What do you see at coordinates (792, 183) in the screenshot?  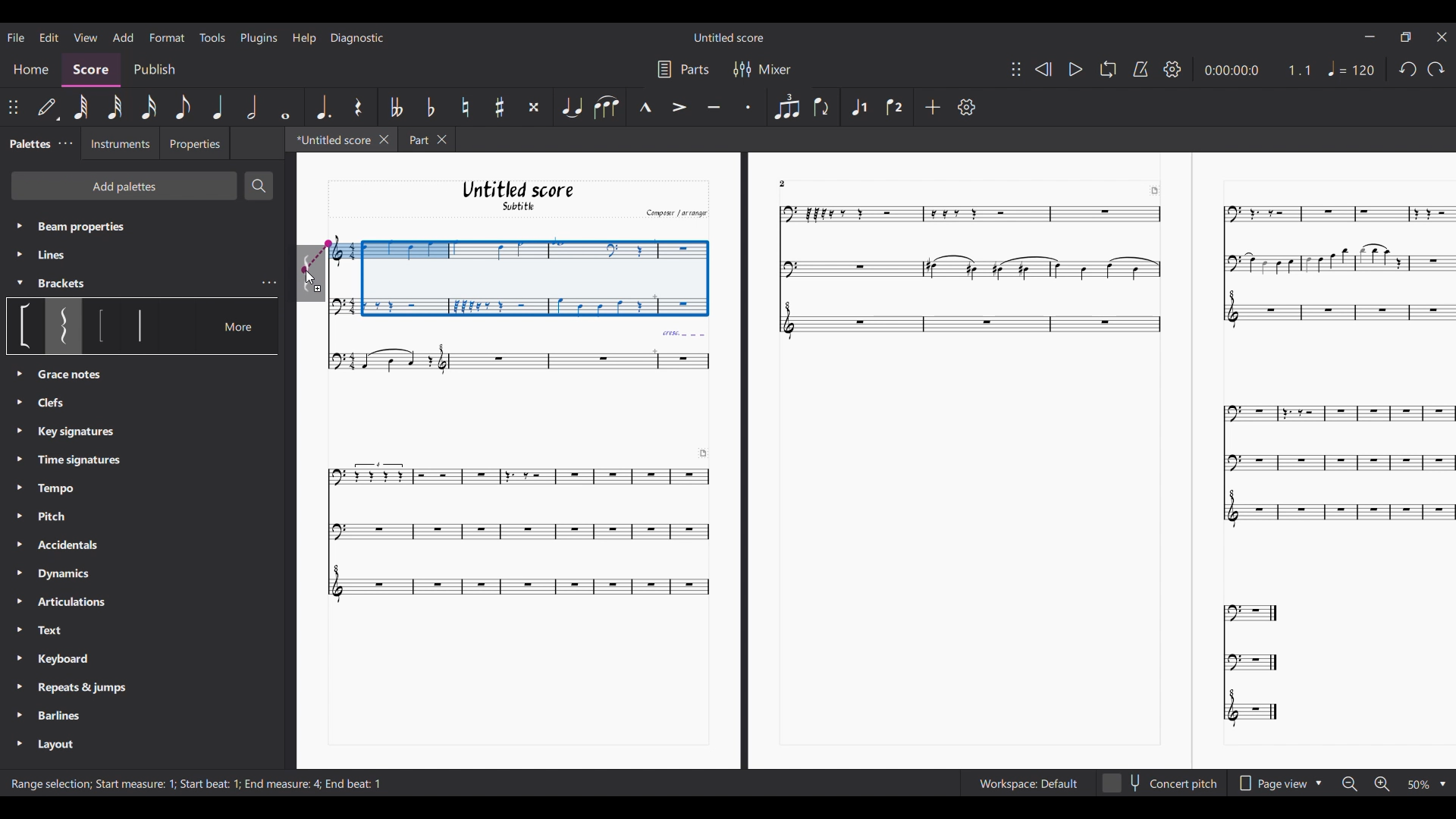 I see `2` at bounding box center [792, 183].